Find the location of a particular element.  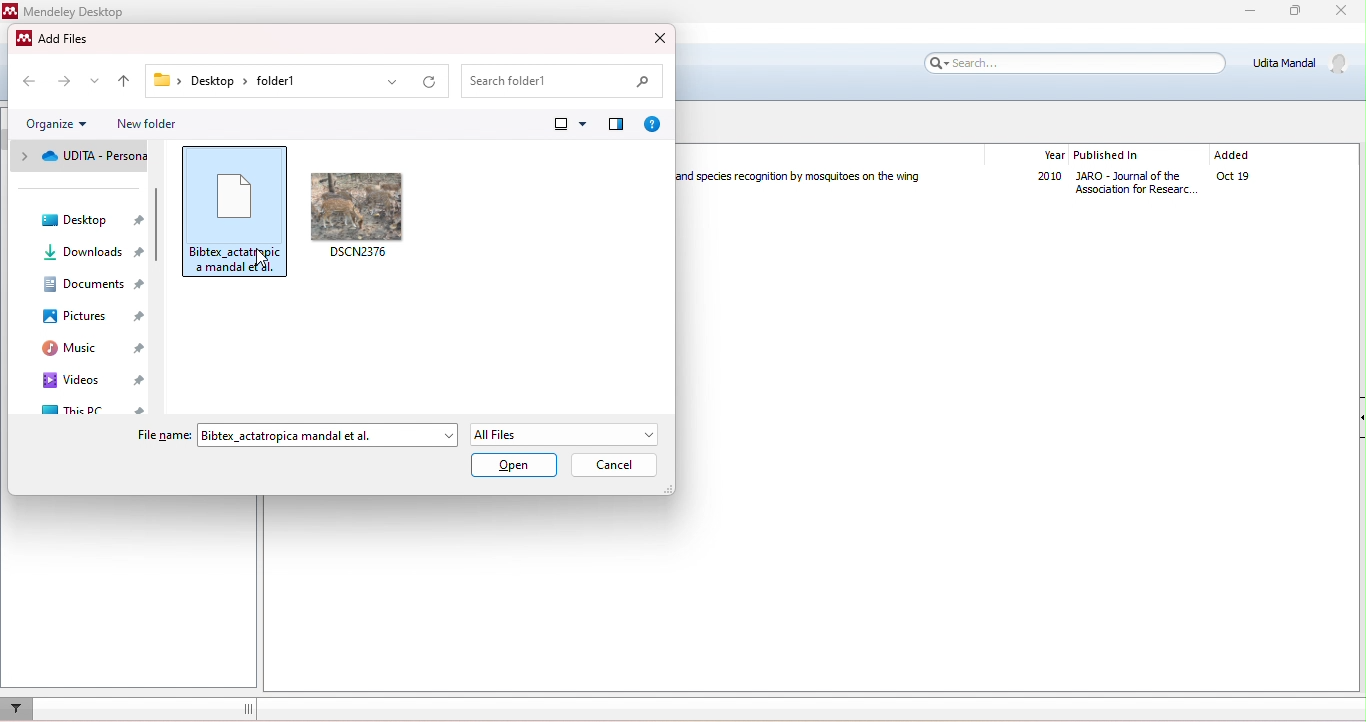

organize is located at coordinates (58, 123).